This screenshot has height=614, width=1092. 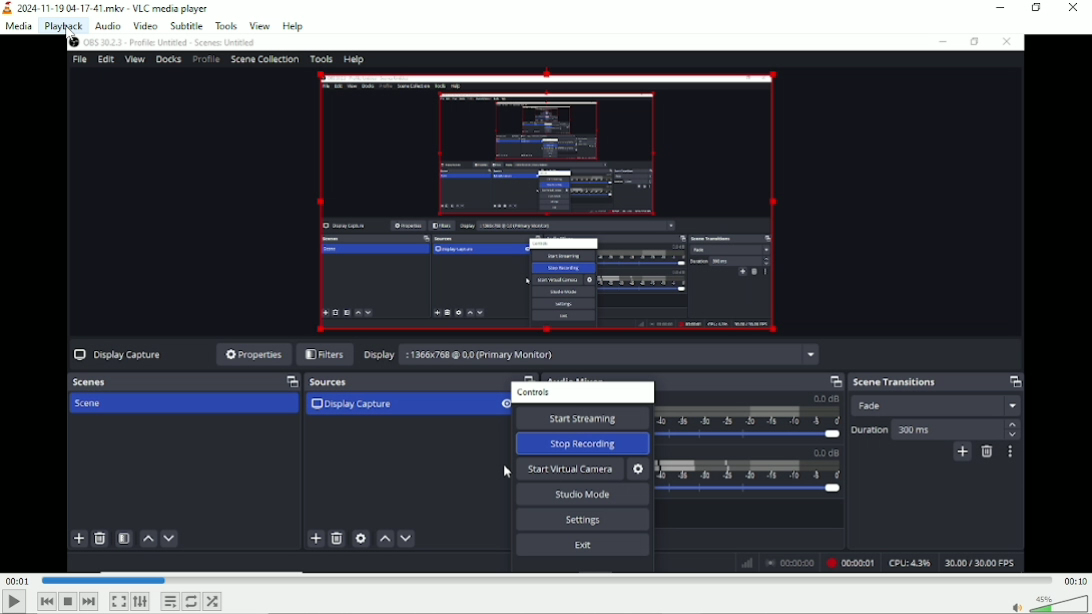 I want to click on Show extended settings, so click(x=140, y=601).